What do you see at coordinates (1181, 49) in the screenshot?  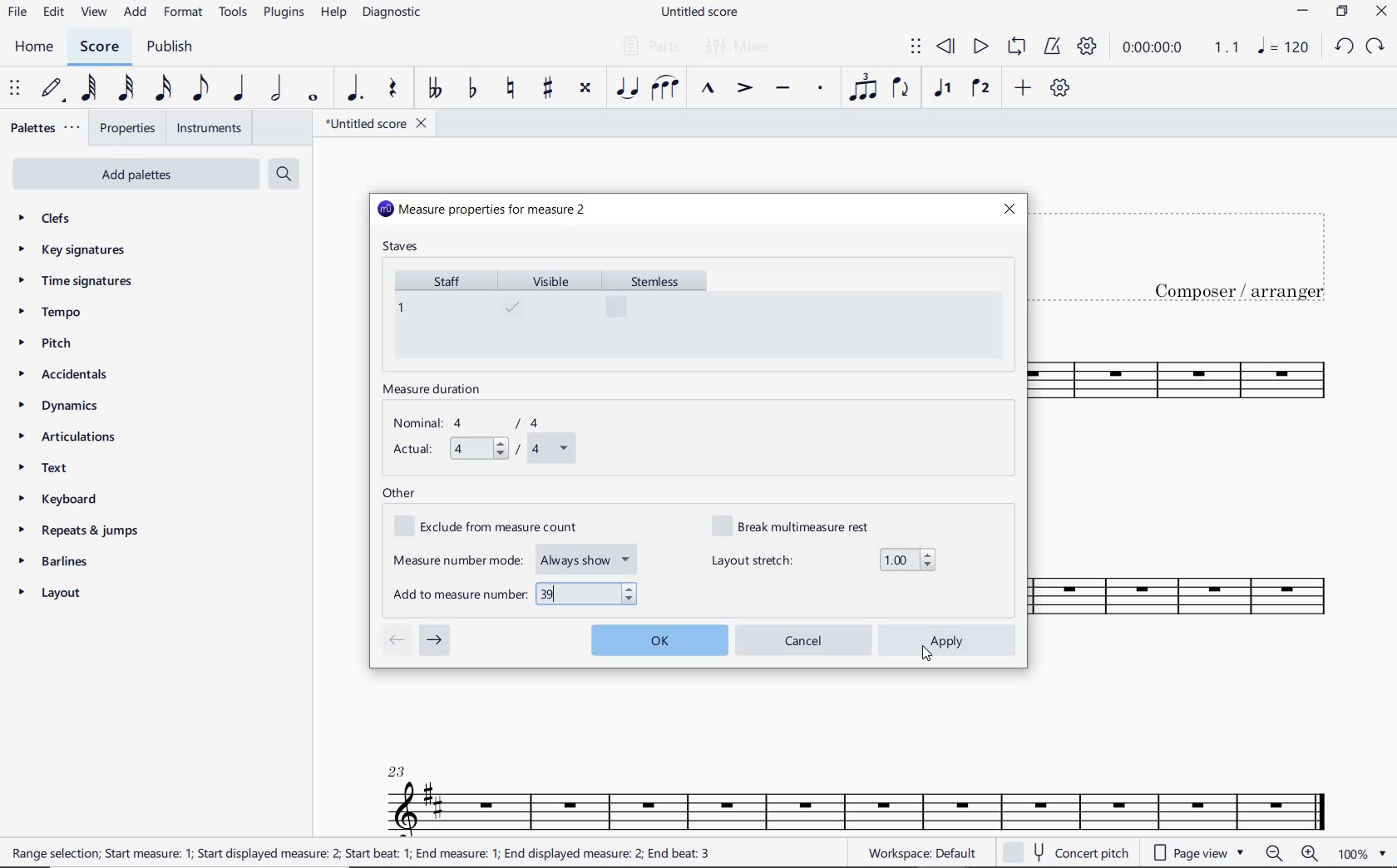 I see `PLAY SPEED` at bounding box center [1181, 49].